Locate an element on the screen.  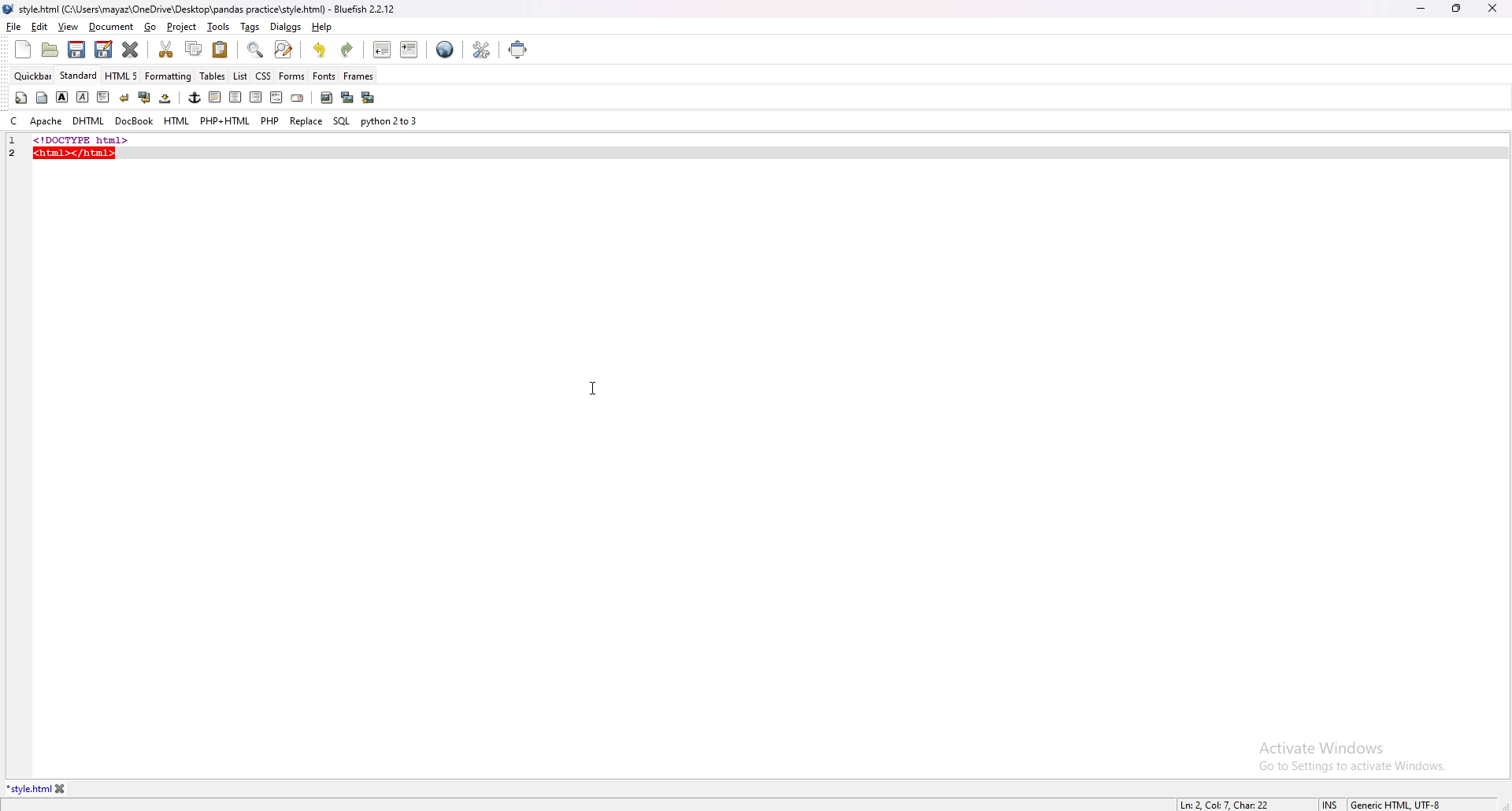
bold is located at coordinates (62, 97).